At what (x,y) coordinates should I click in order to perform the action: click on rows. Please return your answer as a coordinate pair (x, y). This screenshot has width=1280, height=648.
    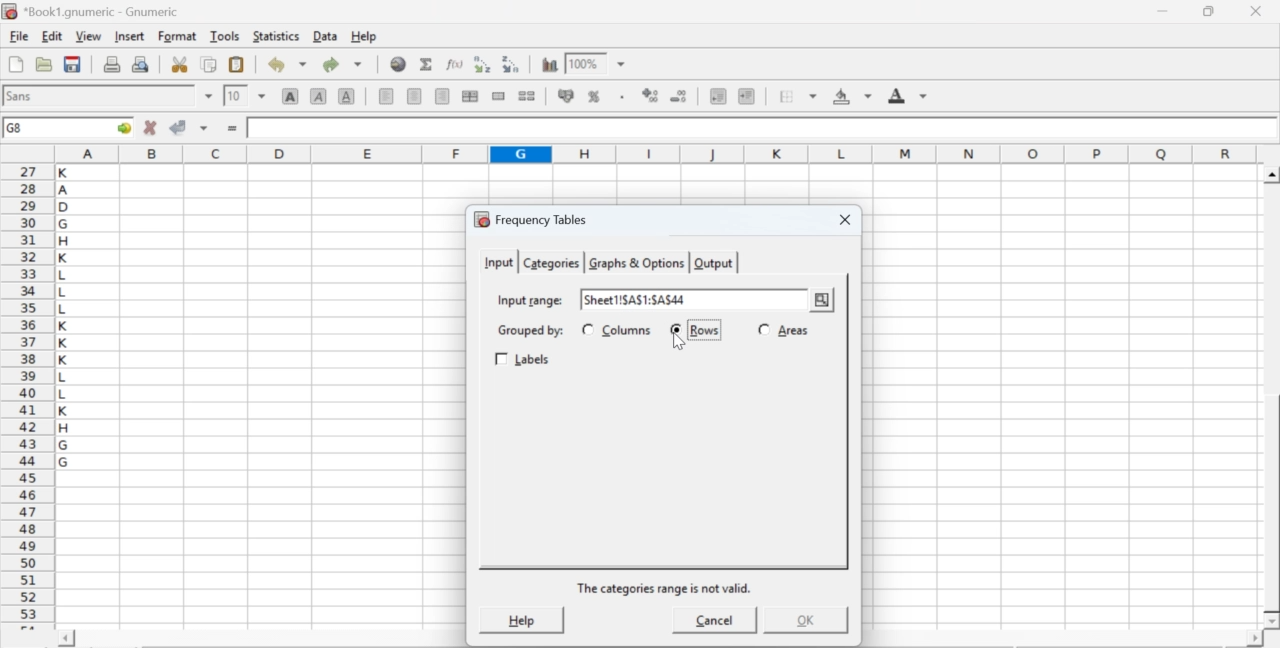
    Looking at the image, I should click on (704, 330).